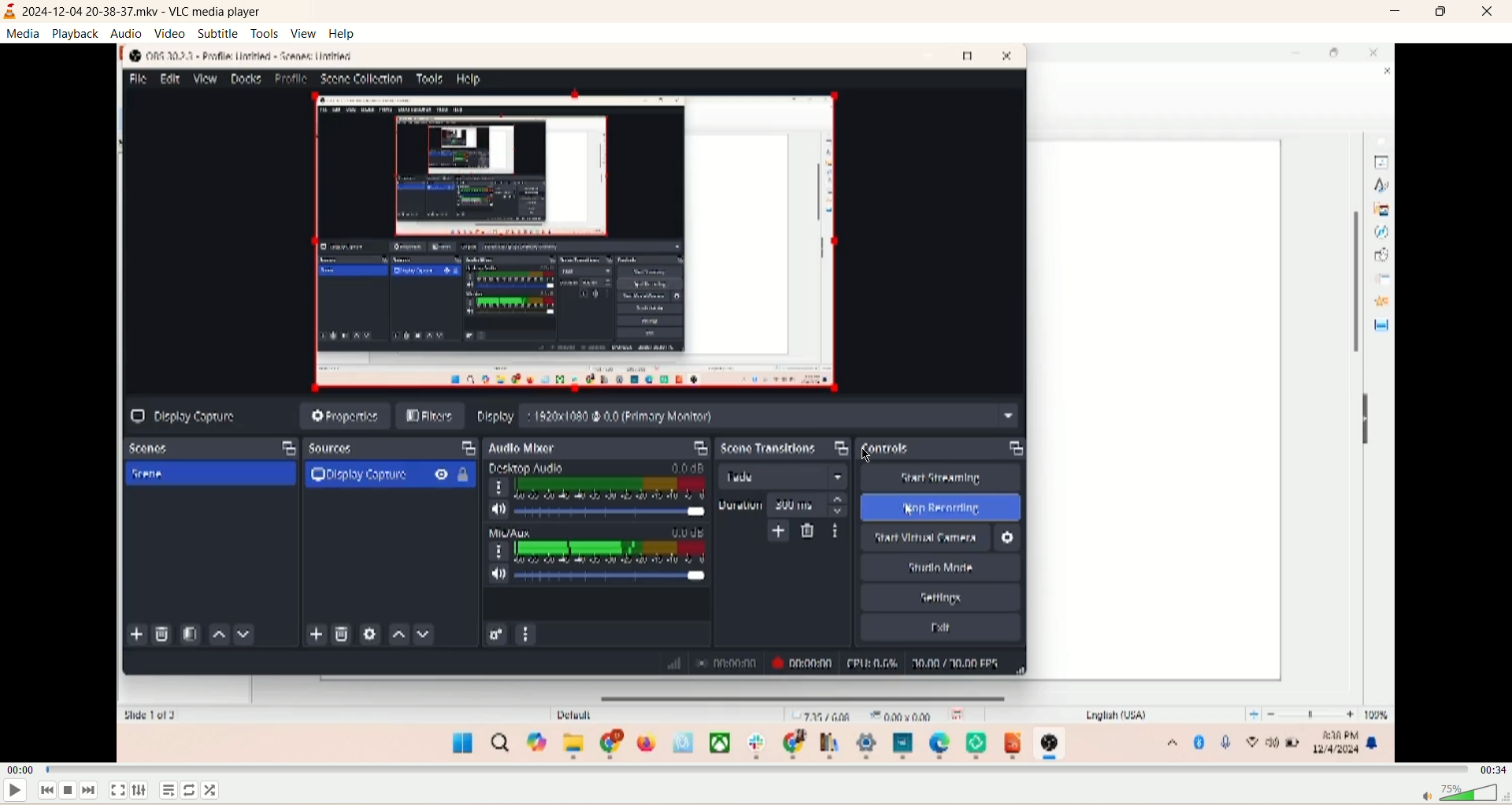  Describe the element at coordinates (754, 770) in the screenshot. I see `progress bar` at that location.